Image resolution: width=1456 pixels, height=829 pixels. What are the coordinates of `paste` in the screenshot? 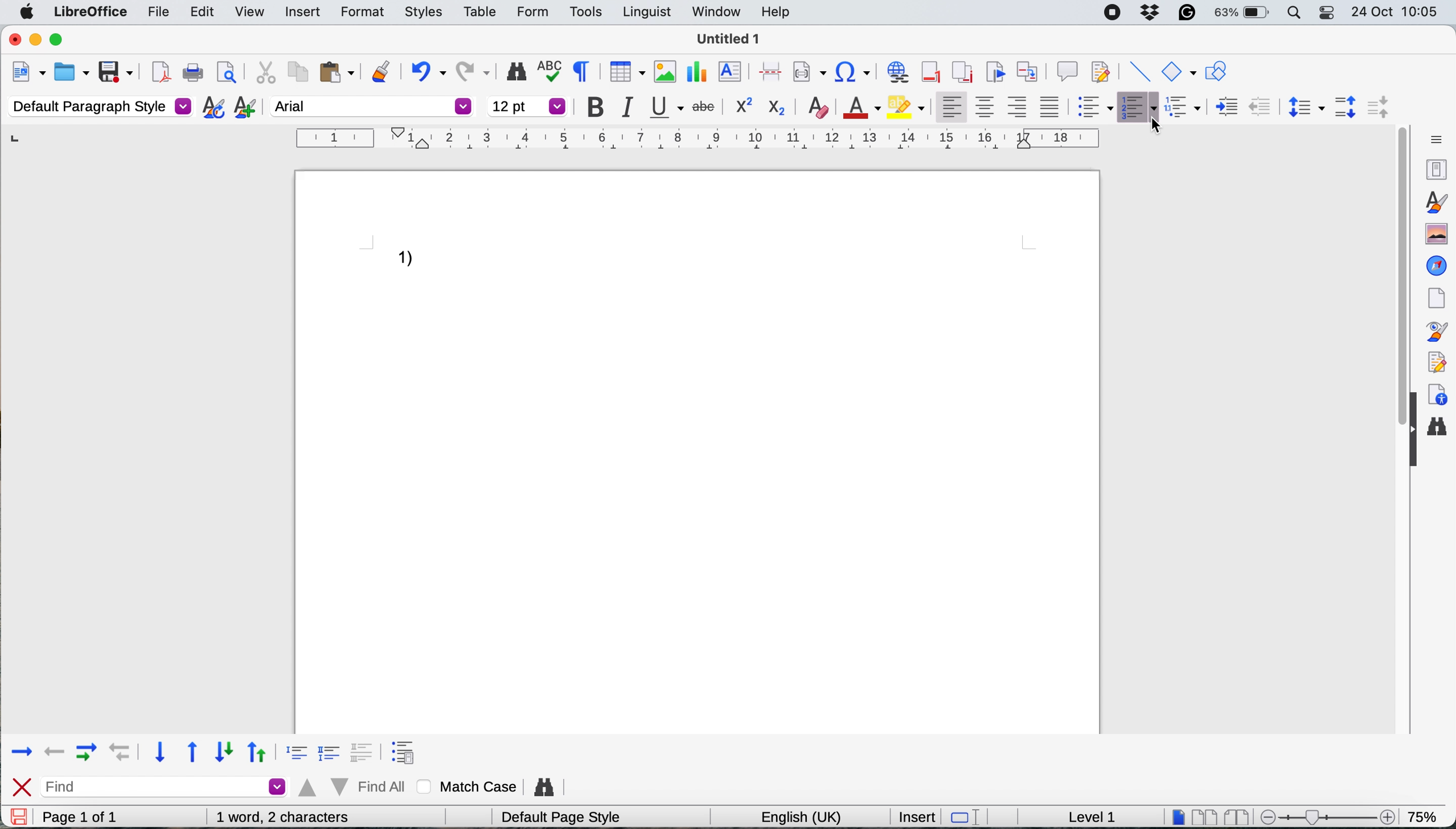 It's located at (337, 72).